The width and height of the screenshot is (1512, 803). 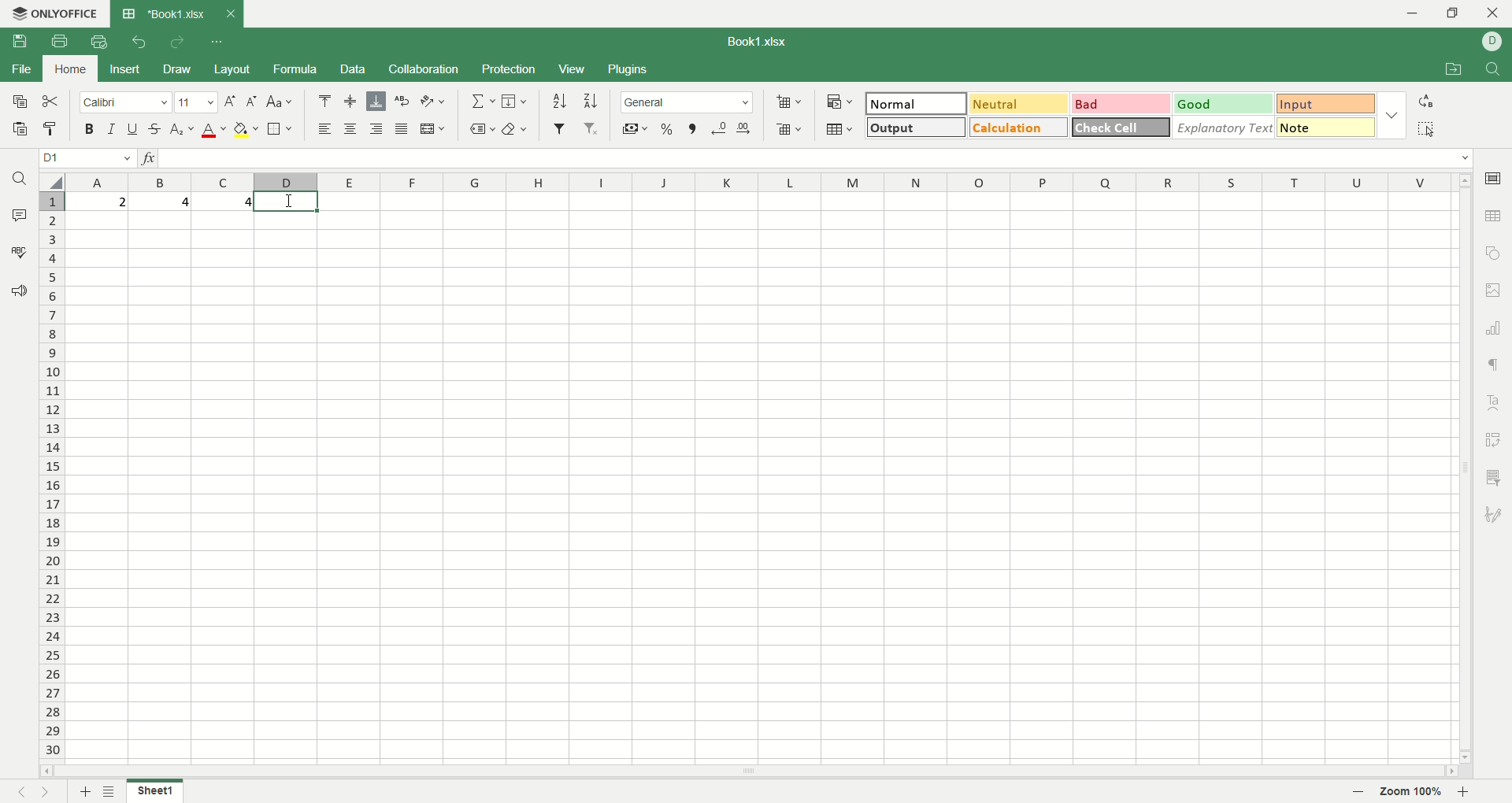 I want to click on insert, so click(x=121, y=70).